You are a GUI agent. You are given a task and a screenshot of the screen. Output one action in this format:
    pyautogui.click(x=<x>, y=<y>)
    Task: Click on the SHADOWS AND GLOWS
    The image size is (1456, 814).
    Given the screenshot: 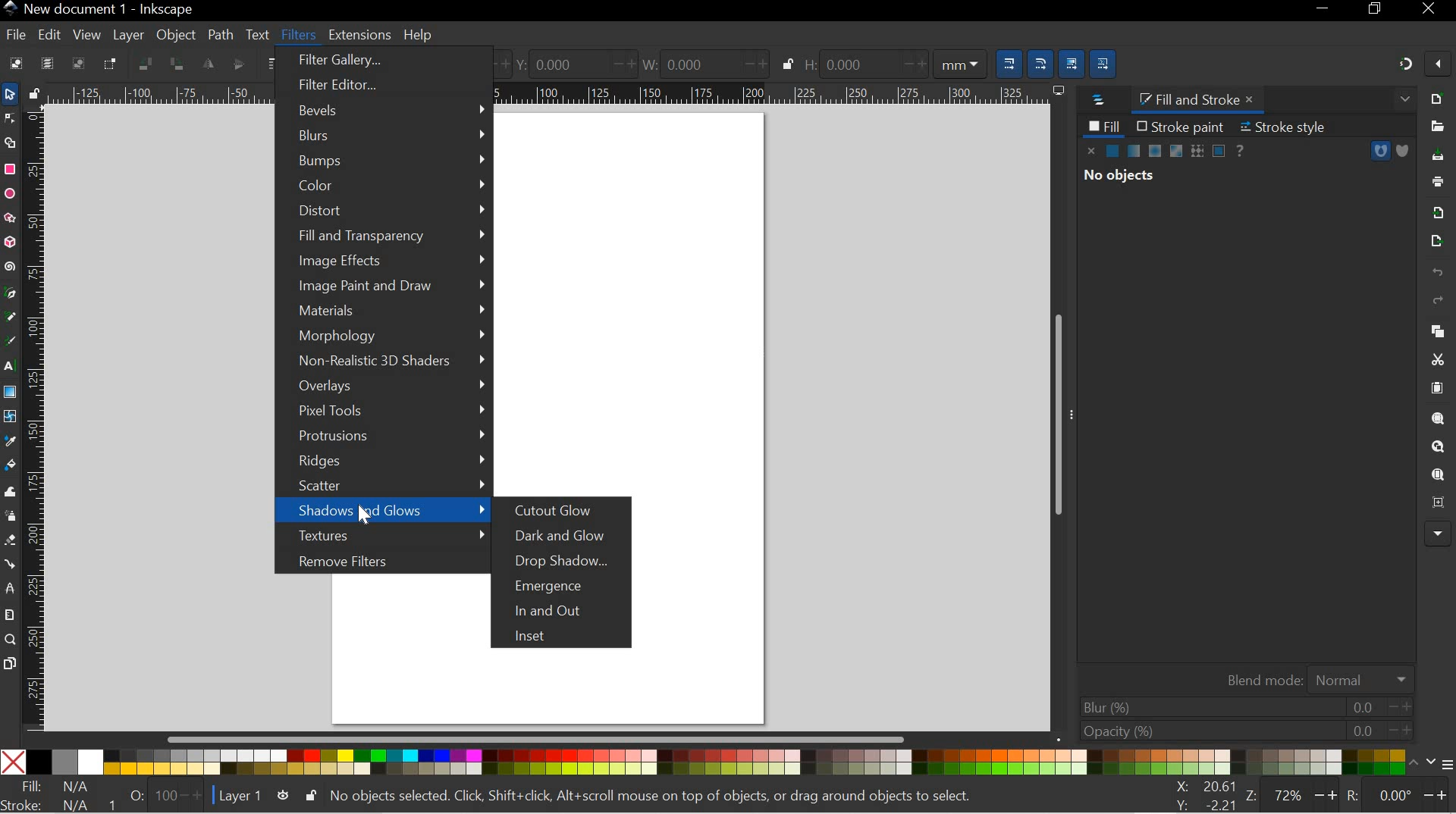 What is the action you would take?
    pyautogui.click(x=383, y=510)
    